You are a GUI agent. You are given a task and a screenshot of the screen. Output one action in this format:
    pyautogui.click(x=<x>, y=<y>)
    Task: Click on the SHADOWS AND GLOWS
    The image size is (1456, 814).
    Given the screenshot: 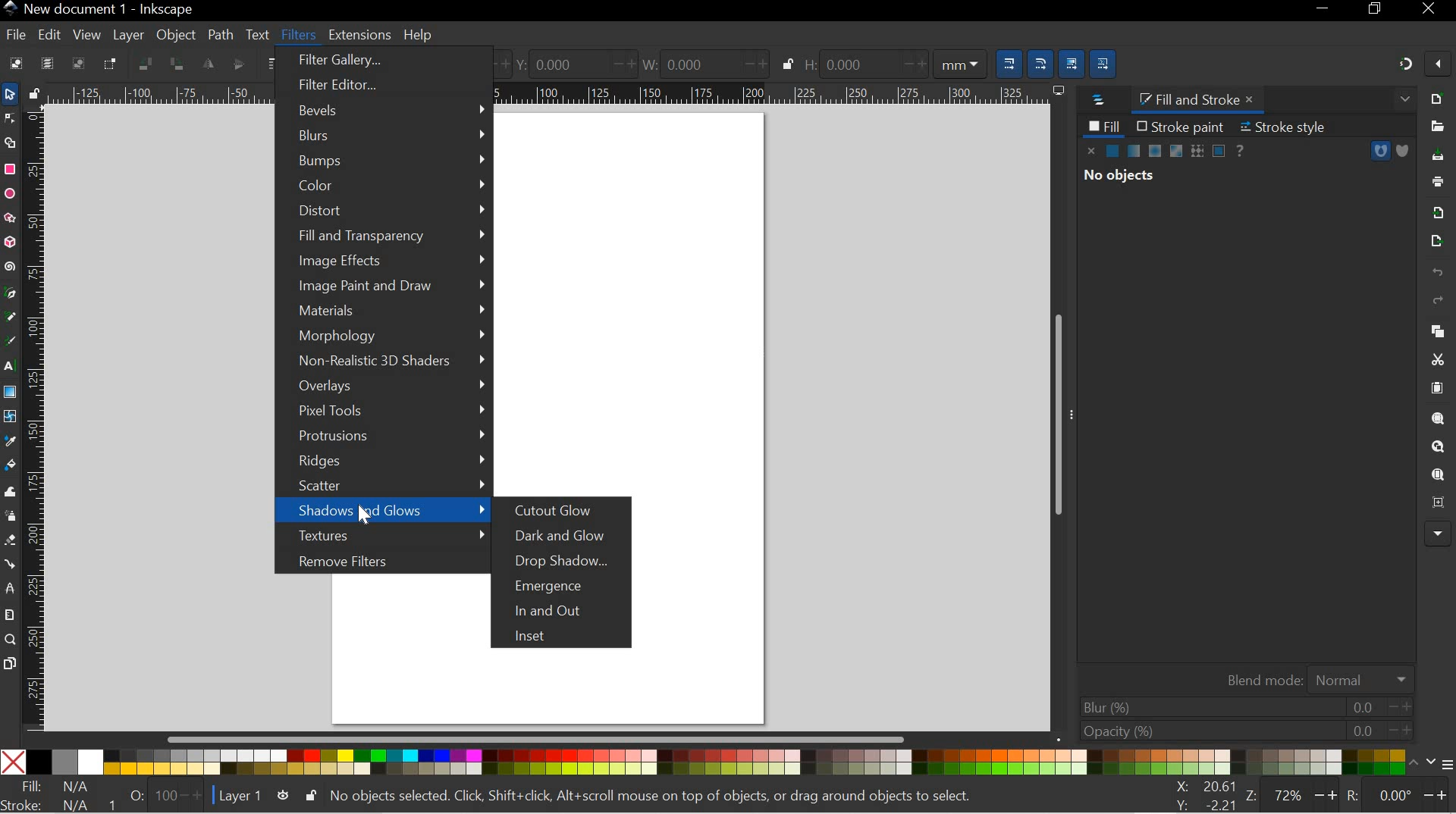 What is the action you would take?
    pyautogui.click(x=383, y=510)
    